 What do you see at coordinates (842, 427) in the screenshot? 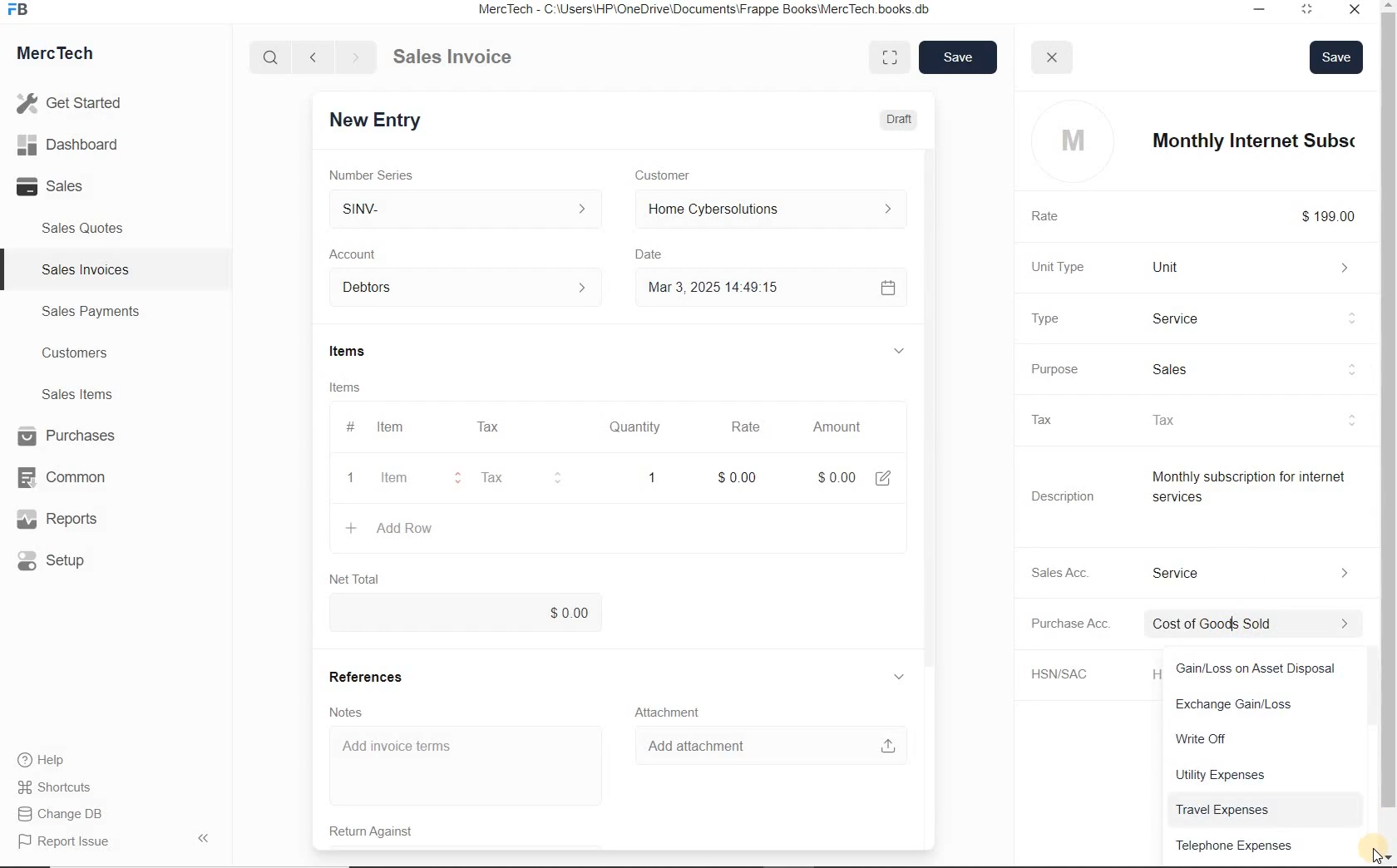
I see `Amount` at bounding box center [842, 427].